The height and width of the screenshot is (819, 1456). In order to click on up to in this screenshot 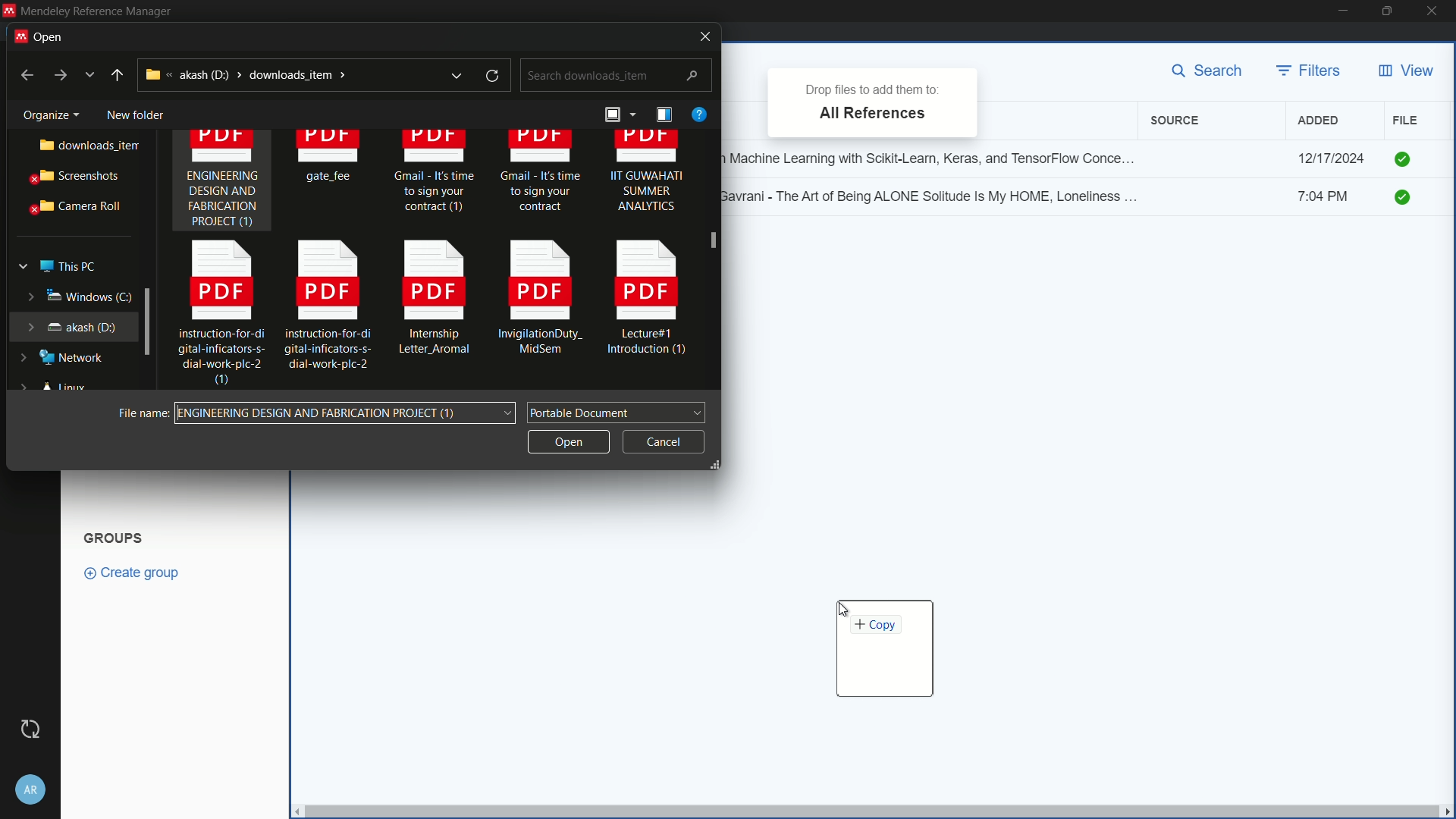, I will do `click(118, 75)`.